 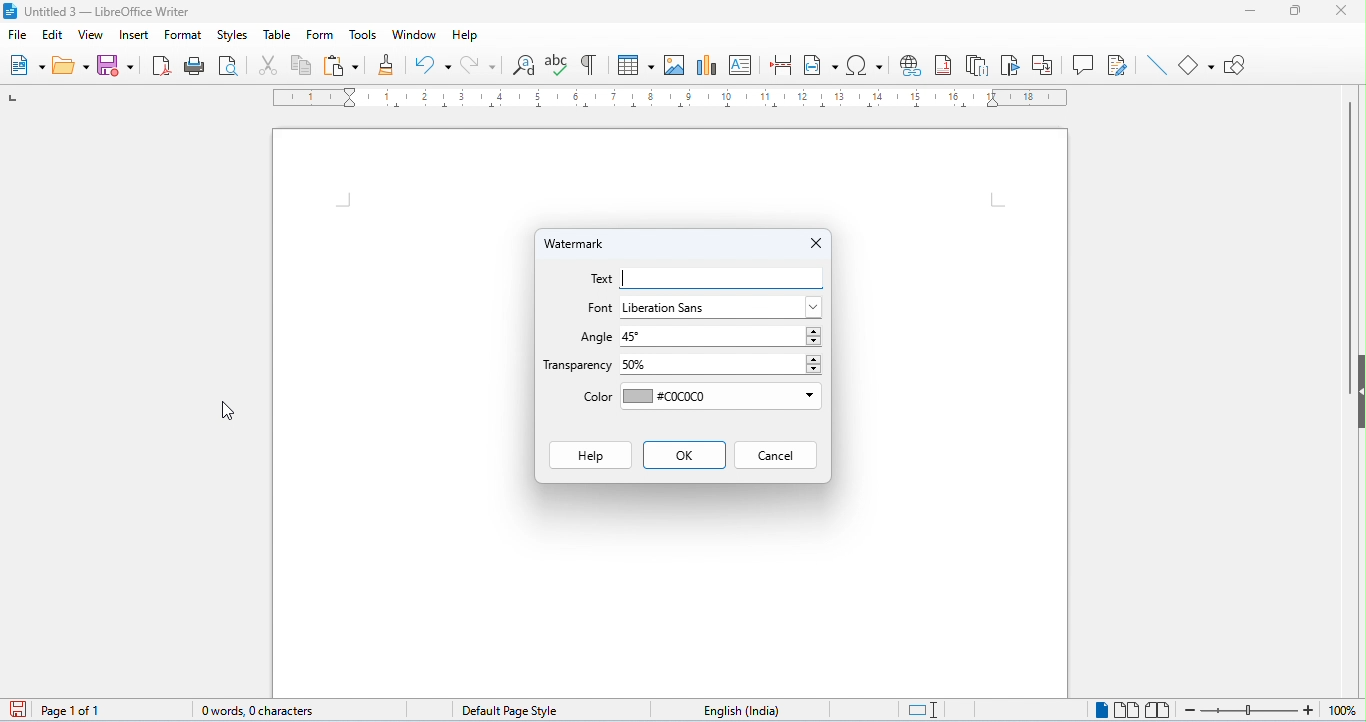 What do you see at coordinates (499, 708) in the screenshot?
I see `default page style` at bounding box center [499, 708].